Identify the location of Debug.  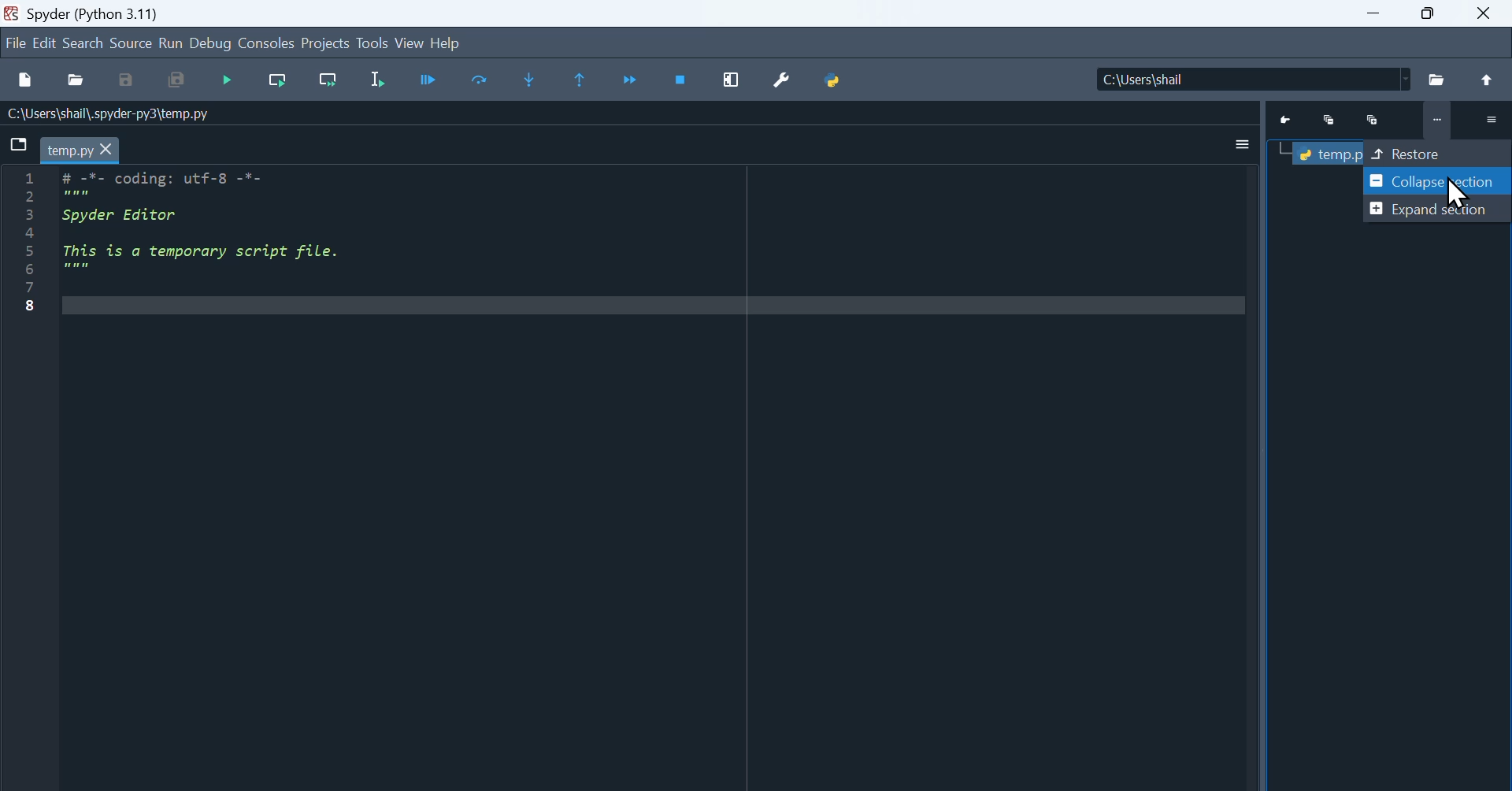
(211, 44).